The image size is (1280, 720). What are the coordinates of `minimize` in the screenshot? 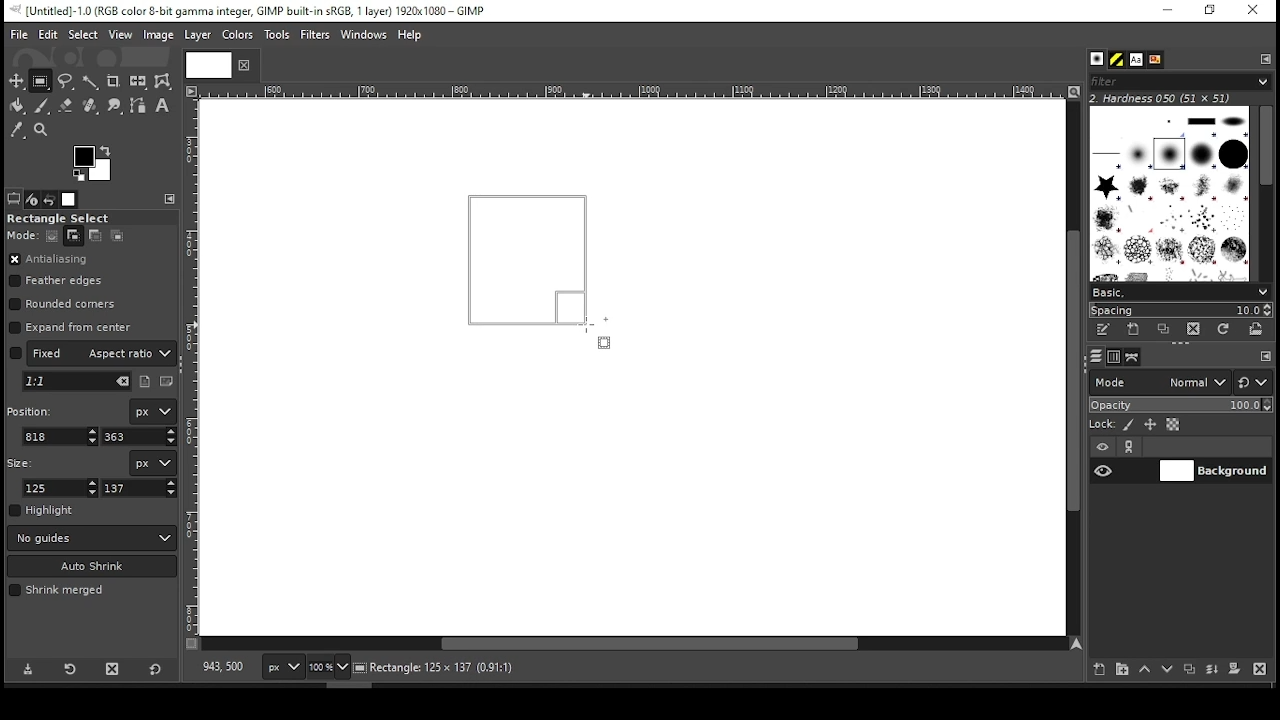 It's located at (1166, 11).